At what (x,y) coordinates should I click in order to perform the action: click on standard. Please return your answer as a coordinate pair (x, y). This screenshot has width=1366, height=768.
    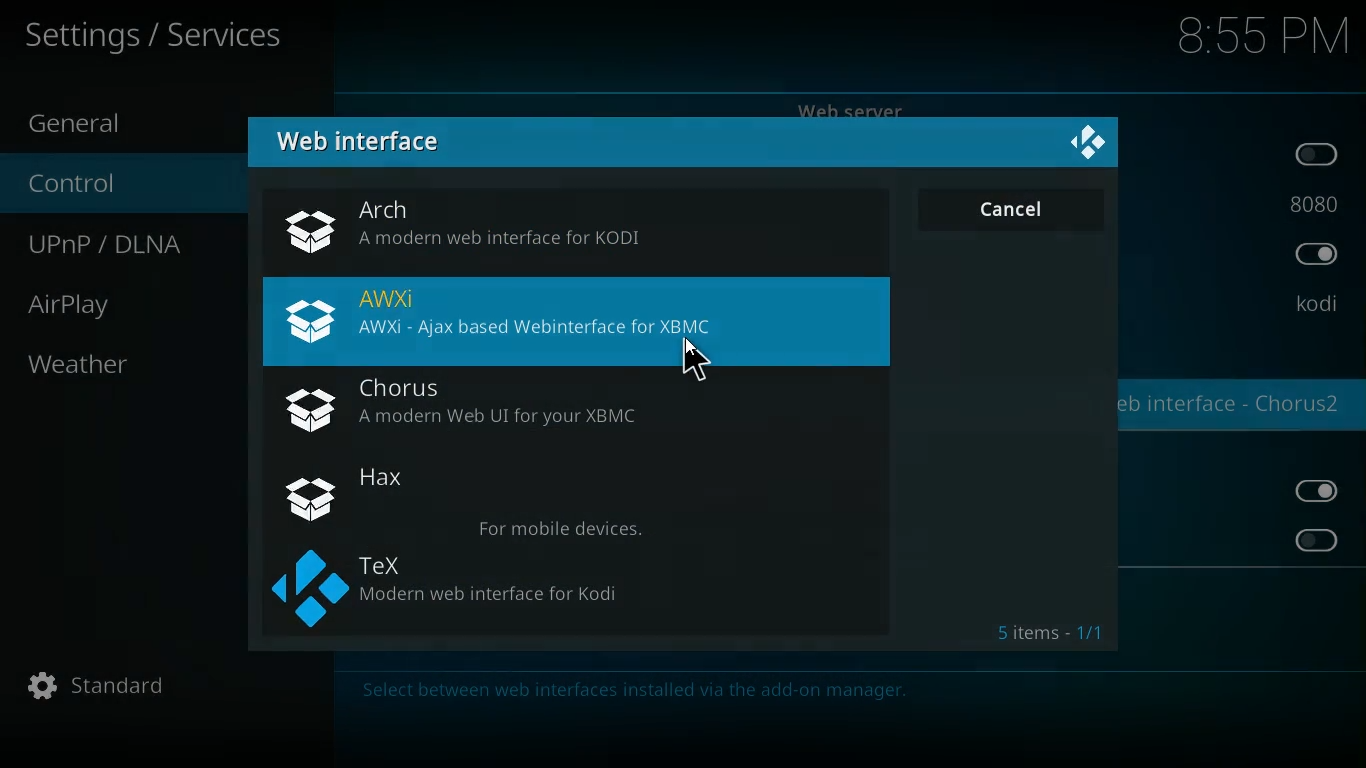
    Looking at the image, I should click on (107, 687).